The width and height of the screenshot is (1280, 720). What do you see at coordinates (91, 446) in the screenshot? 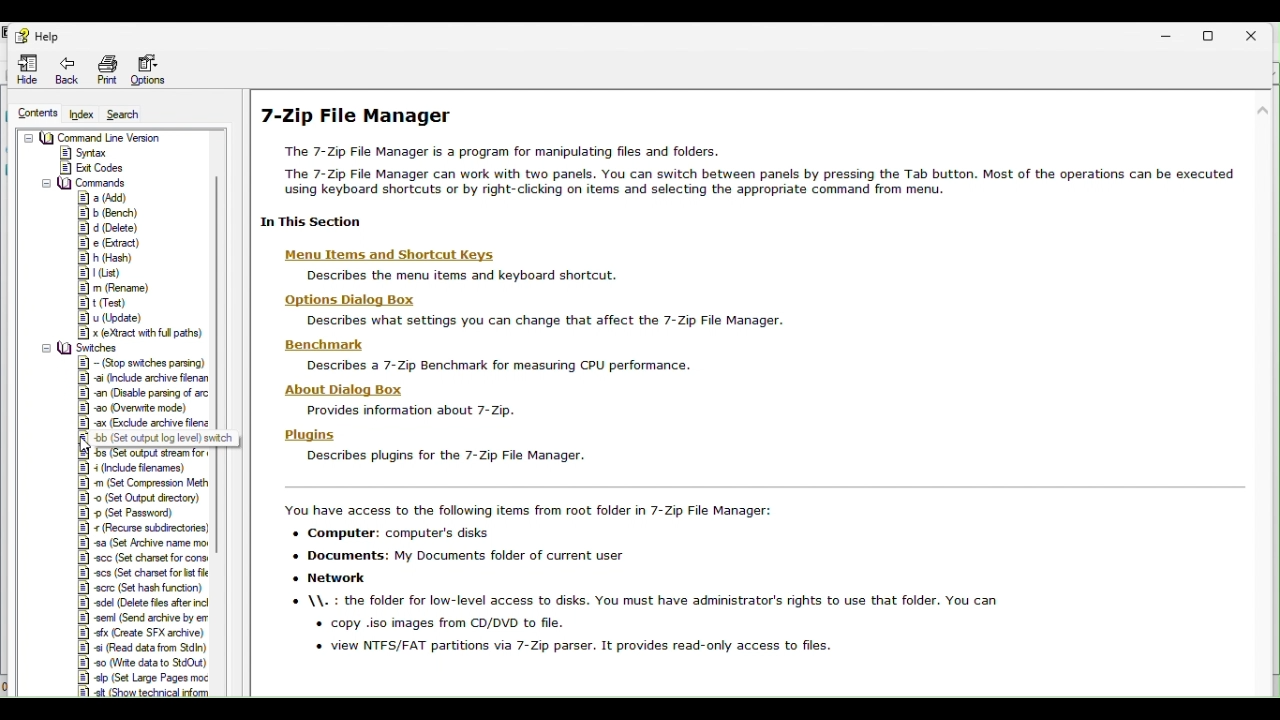
I see `Cursor` at bounding box center [91, 446].